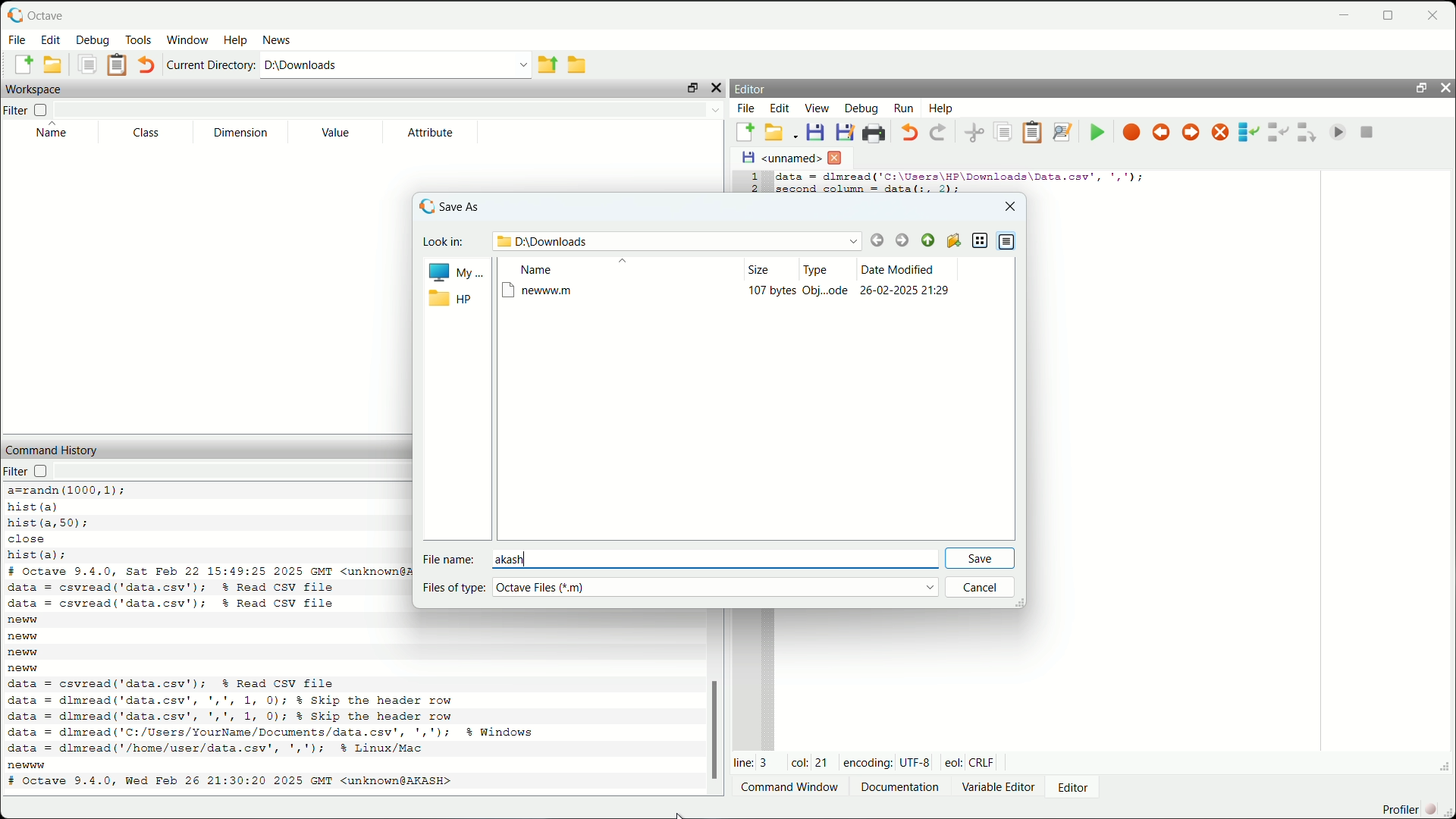 Image resolution: width=1456 pixels, height=819 pixels. I want to click on hide widget, so click(1446, 88).